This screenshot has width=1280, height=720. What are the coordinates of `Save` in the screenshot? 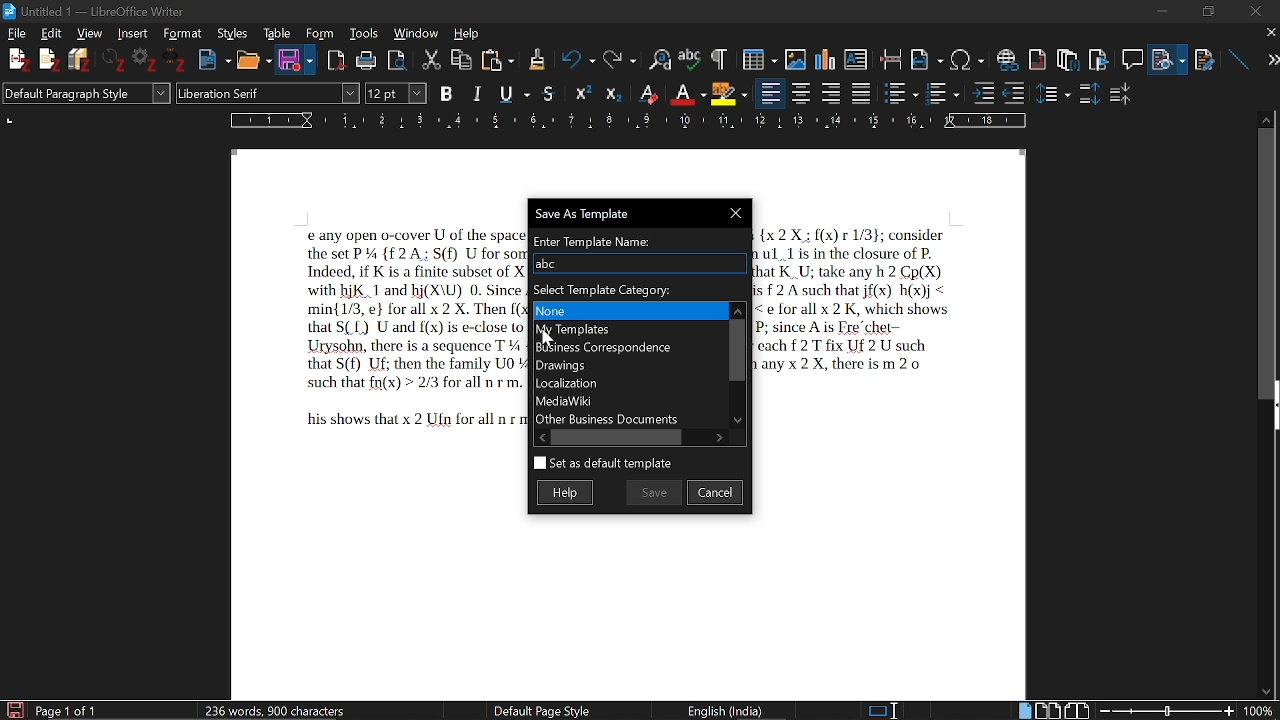 It's located at (289, 61).